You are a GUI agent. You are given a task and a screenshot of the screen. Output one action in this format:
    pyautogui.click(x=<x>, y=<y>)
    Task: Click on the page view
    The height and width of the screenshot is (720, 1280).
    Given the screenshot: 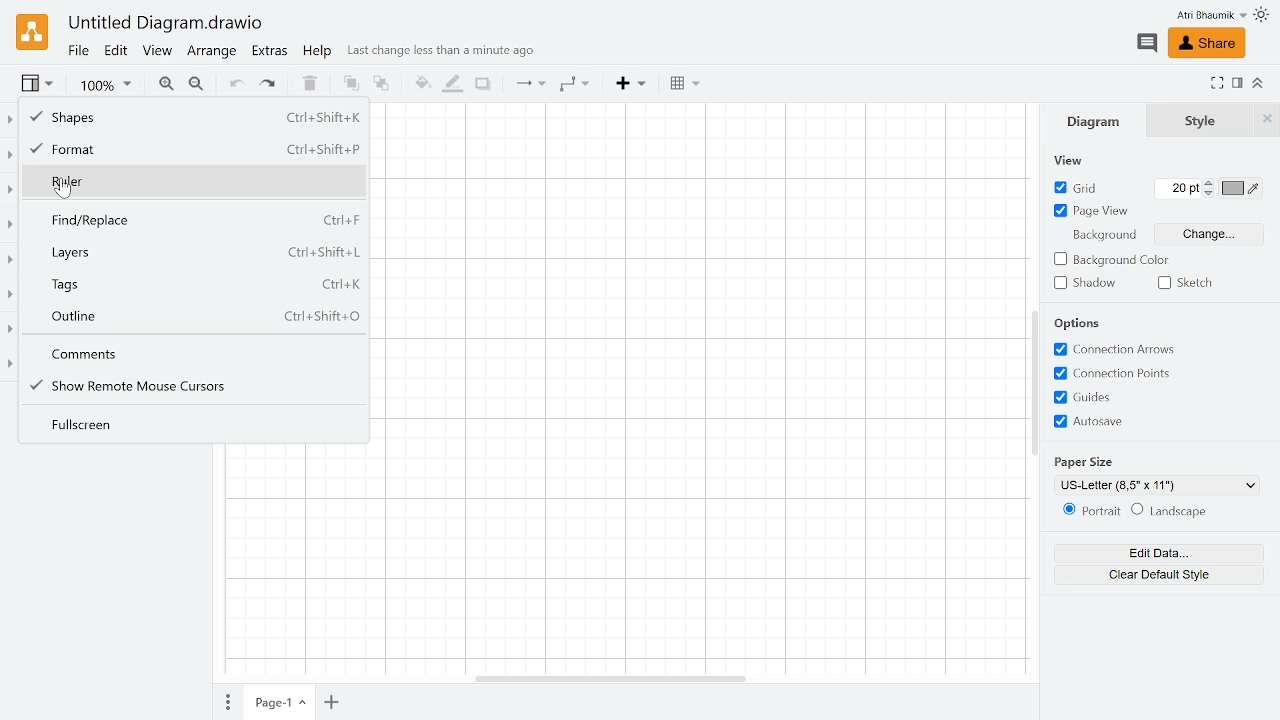 What is the action you would take?
    pyautogui.click(x=1091, y=212)
    